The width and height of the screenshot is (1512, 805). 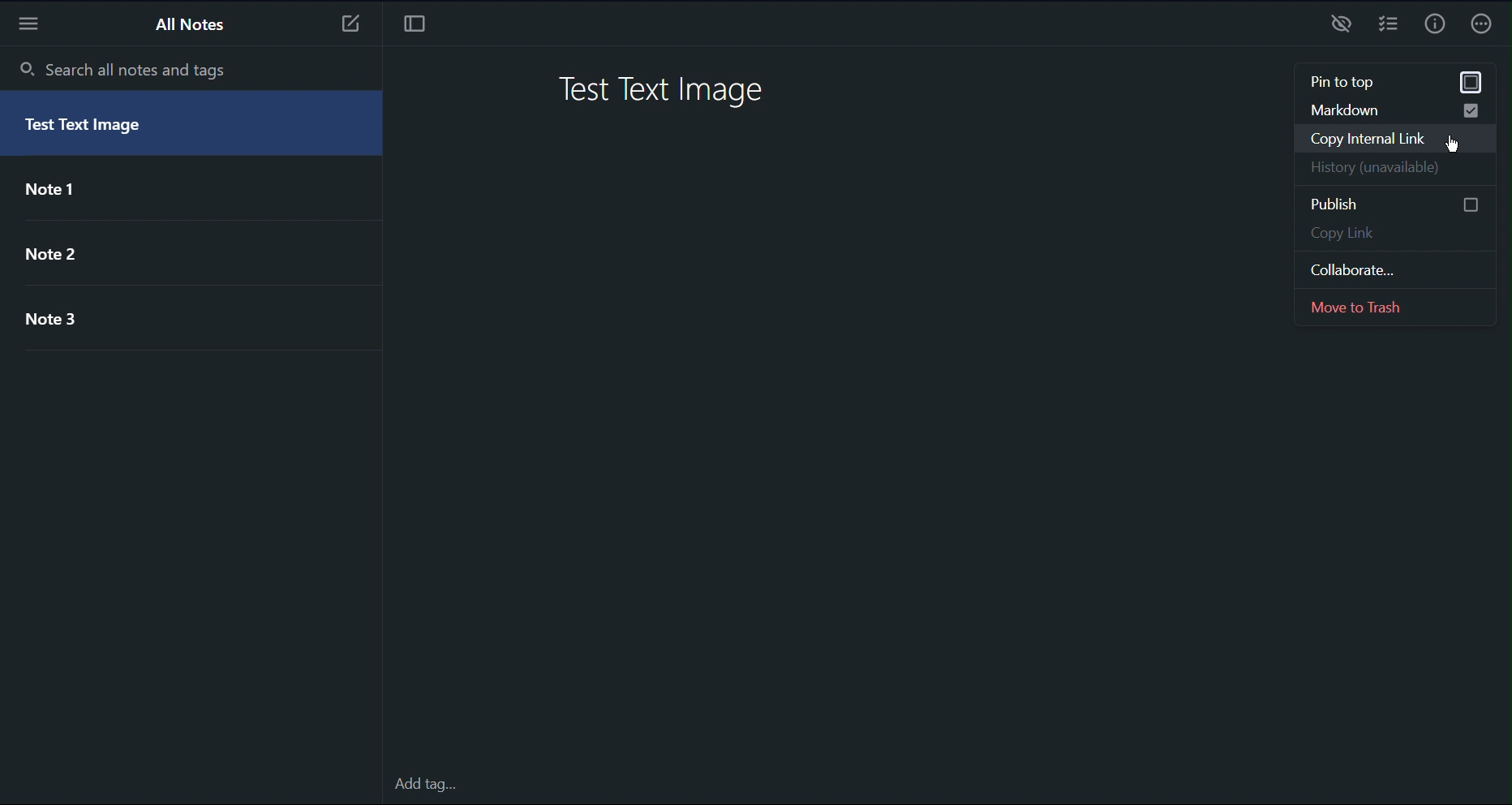 What do you see at coordinates (1393, 172) in the screenshot?
I see `History` at bounding box center [1393, 172].